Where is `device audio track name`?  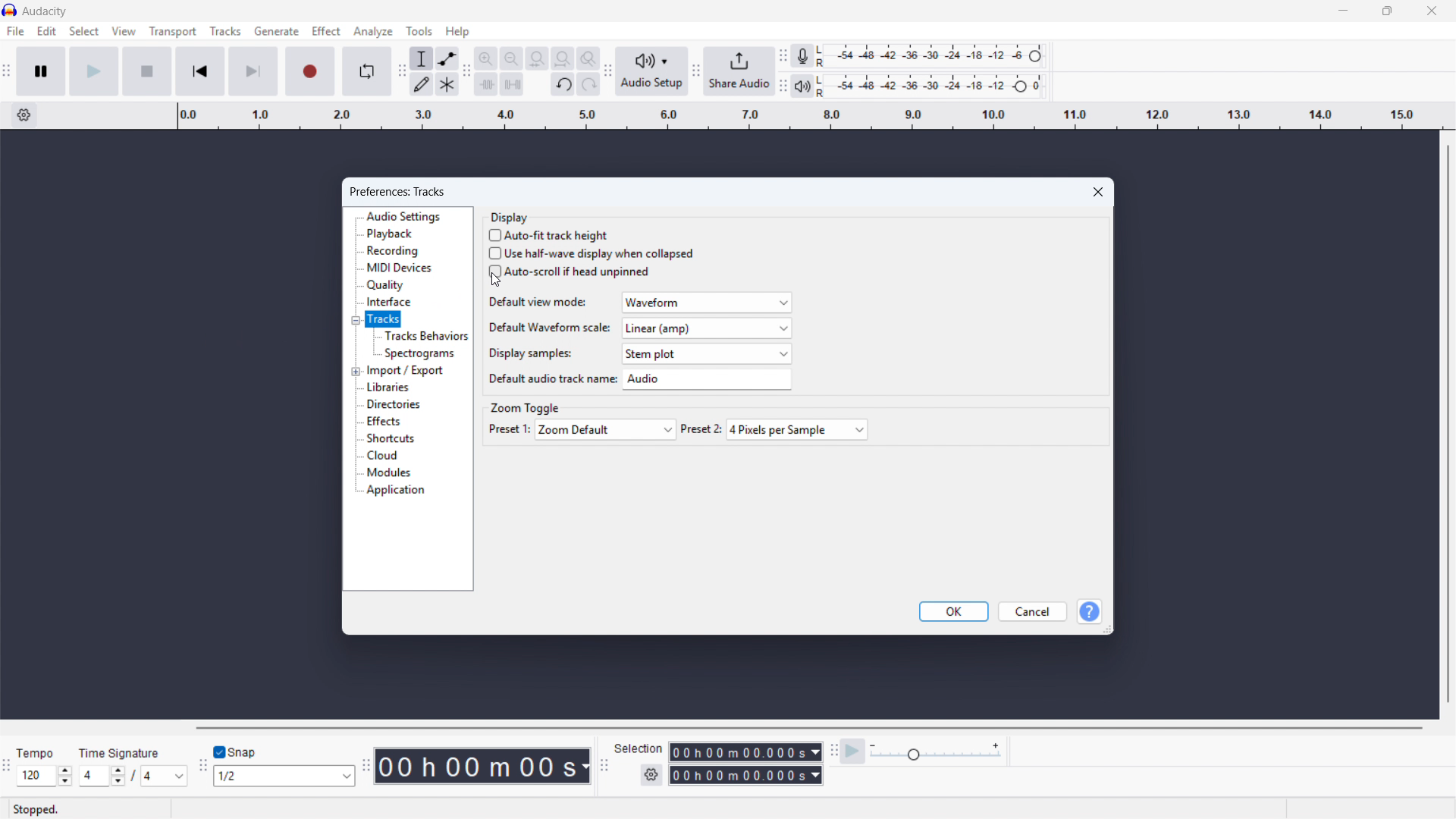
device audio track name is located at coordinates (637, 380).